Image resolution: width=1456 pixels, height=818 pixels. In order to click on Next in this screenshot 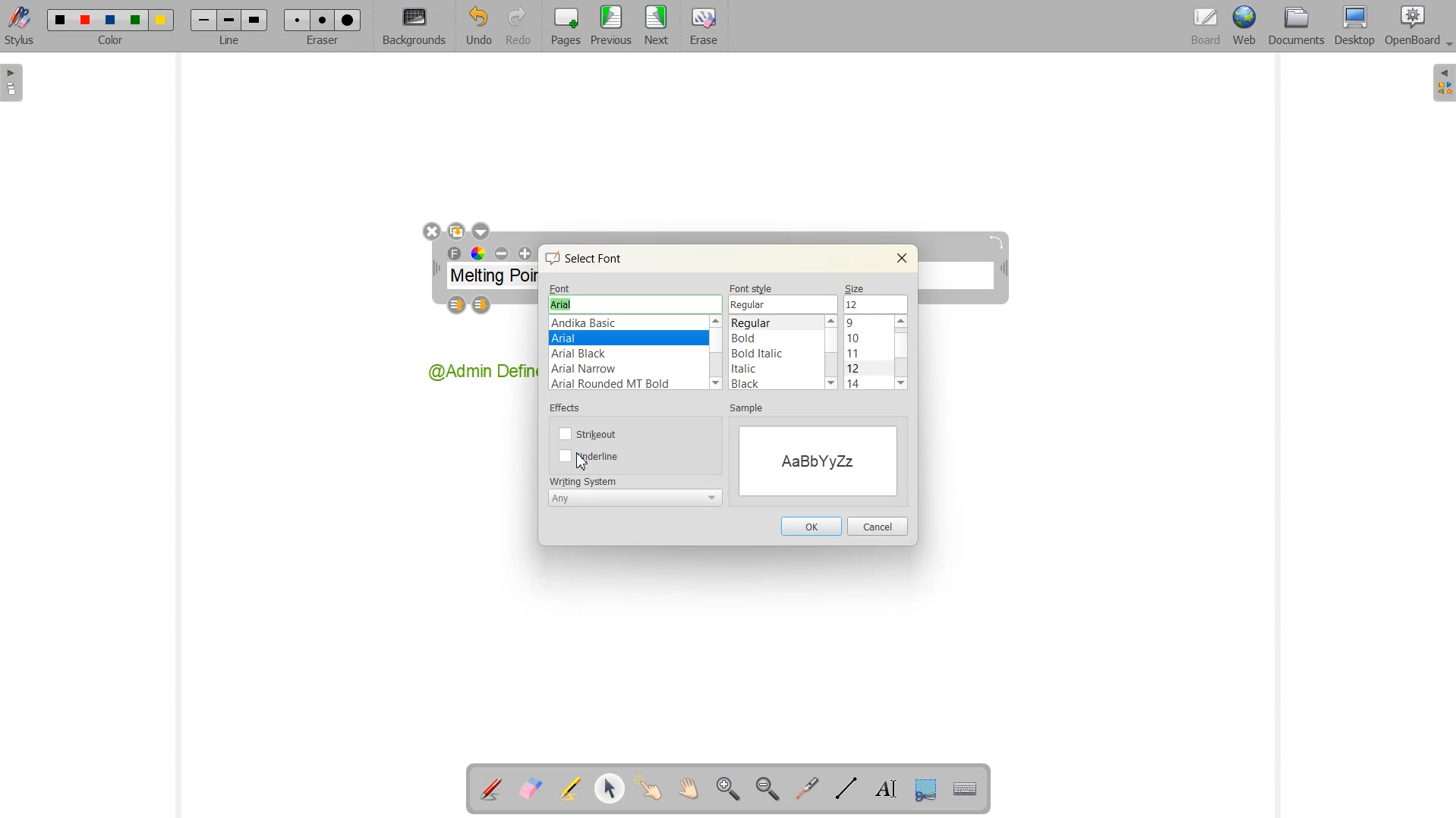, I will do `click(657, 27)`.